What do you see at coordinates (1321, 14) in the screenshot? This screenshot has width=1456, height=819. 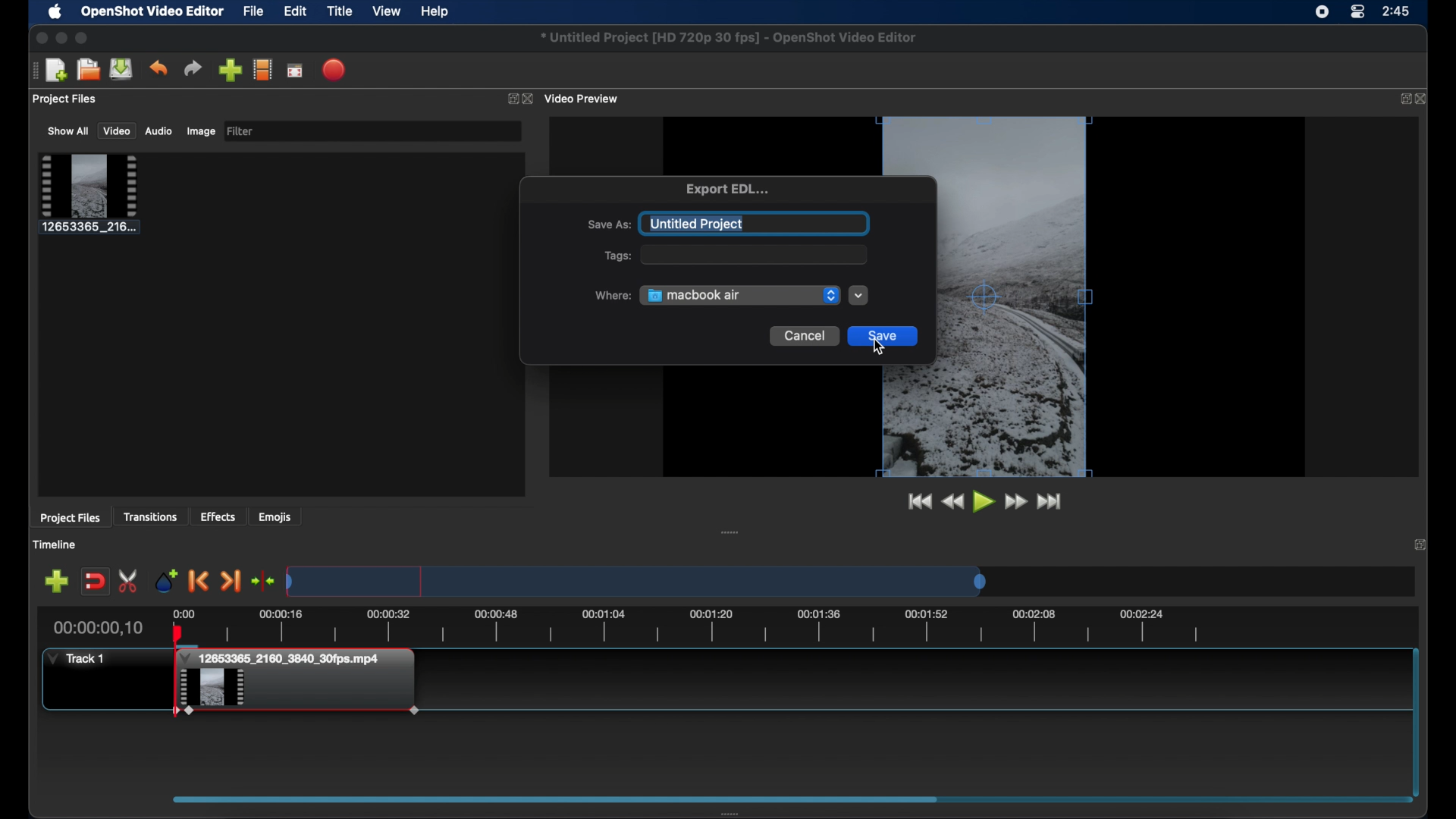 I see `screen recorder icon` at bounding box center [1321, 14].